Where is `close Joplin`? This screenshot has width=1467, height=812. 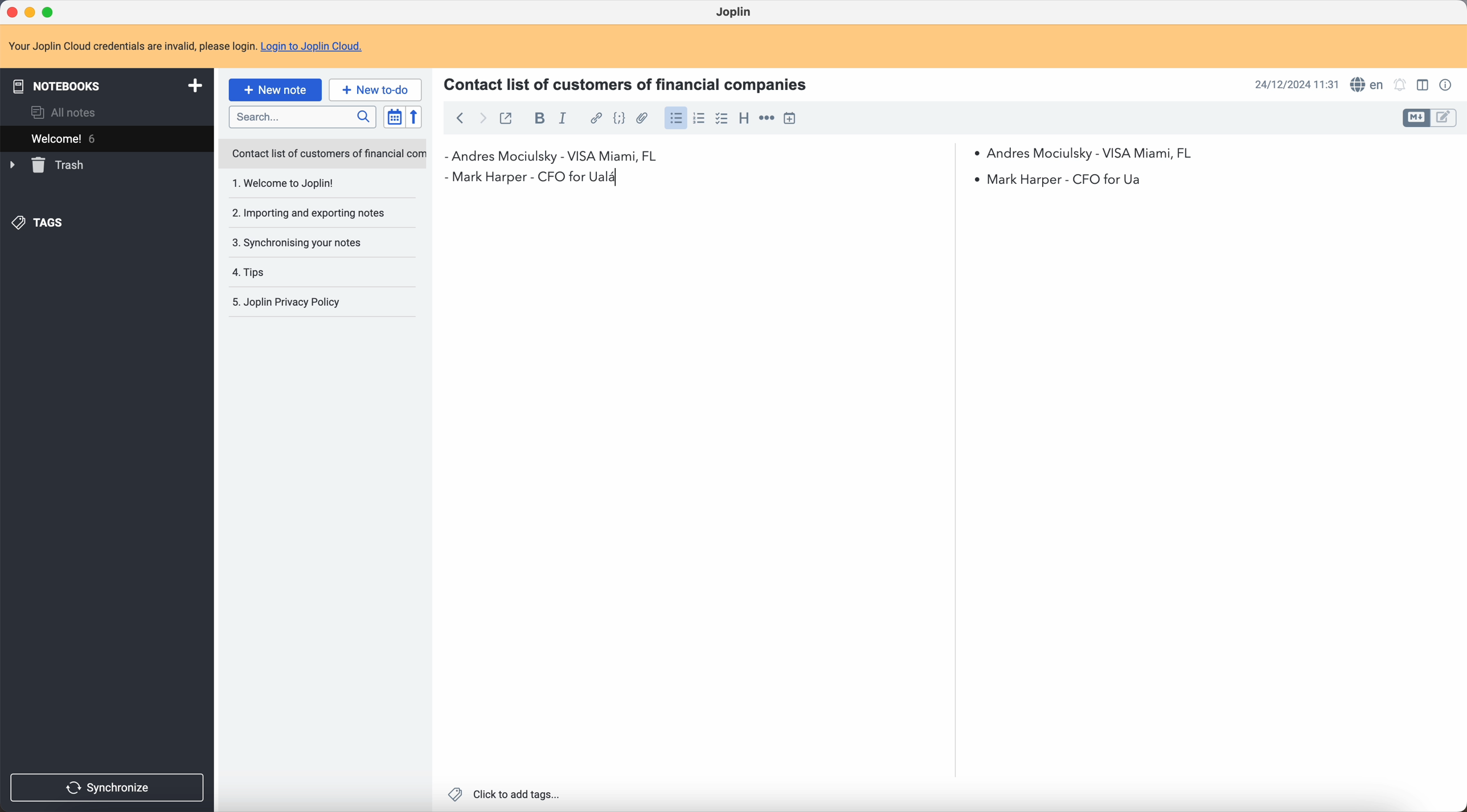
close Joplin is located at coordinates (11, 11).